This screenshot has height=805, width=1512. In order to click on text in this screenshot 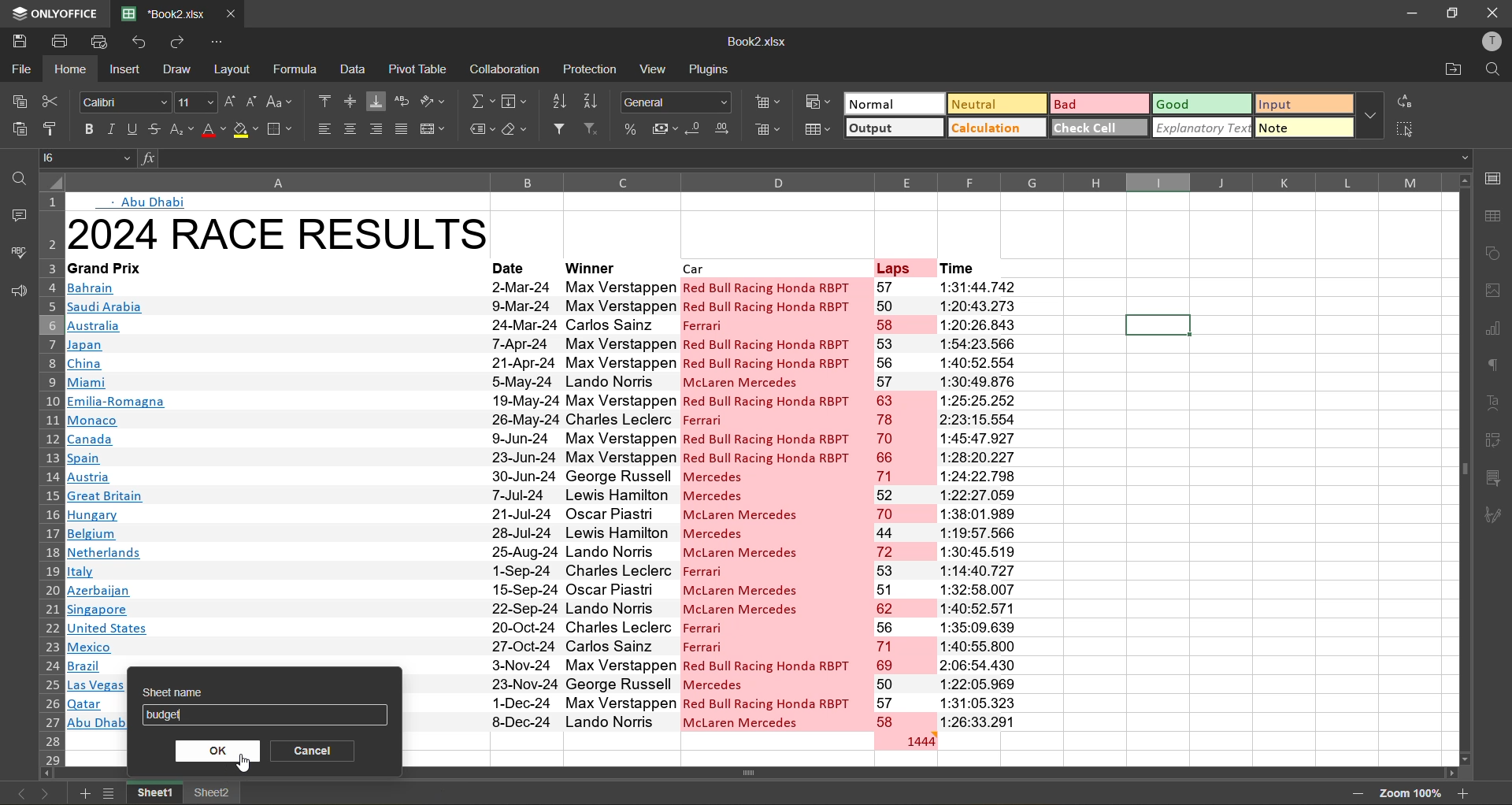, I will do `click(144, 201)`.